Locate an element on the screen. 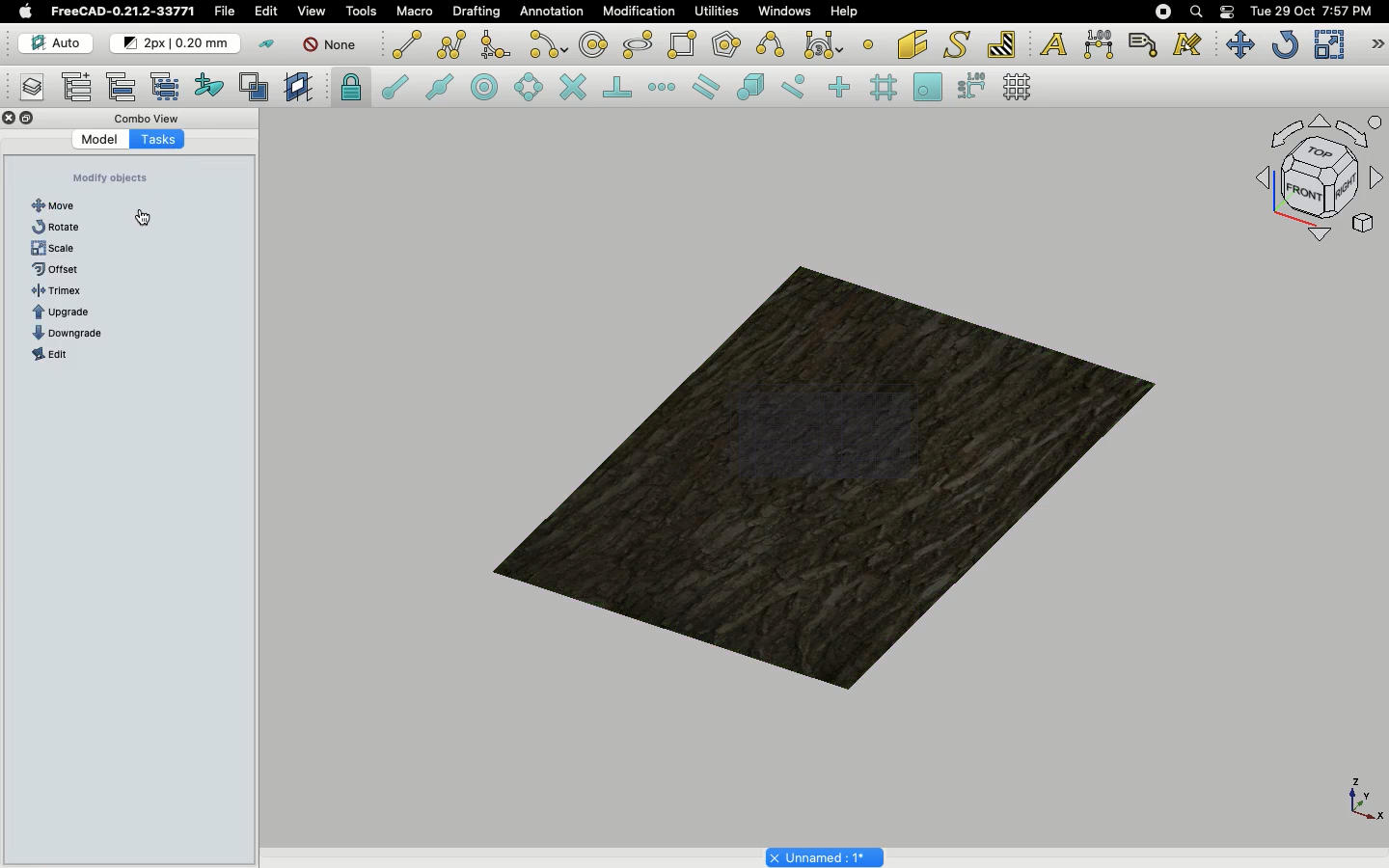 The height and width of the screenshot is (868, 1389). Apple log is located at coordinates (26, 11).